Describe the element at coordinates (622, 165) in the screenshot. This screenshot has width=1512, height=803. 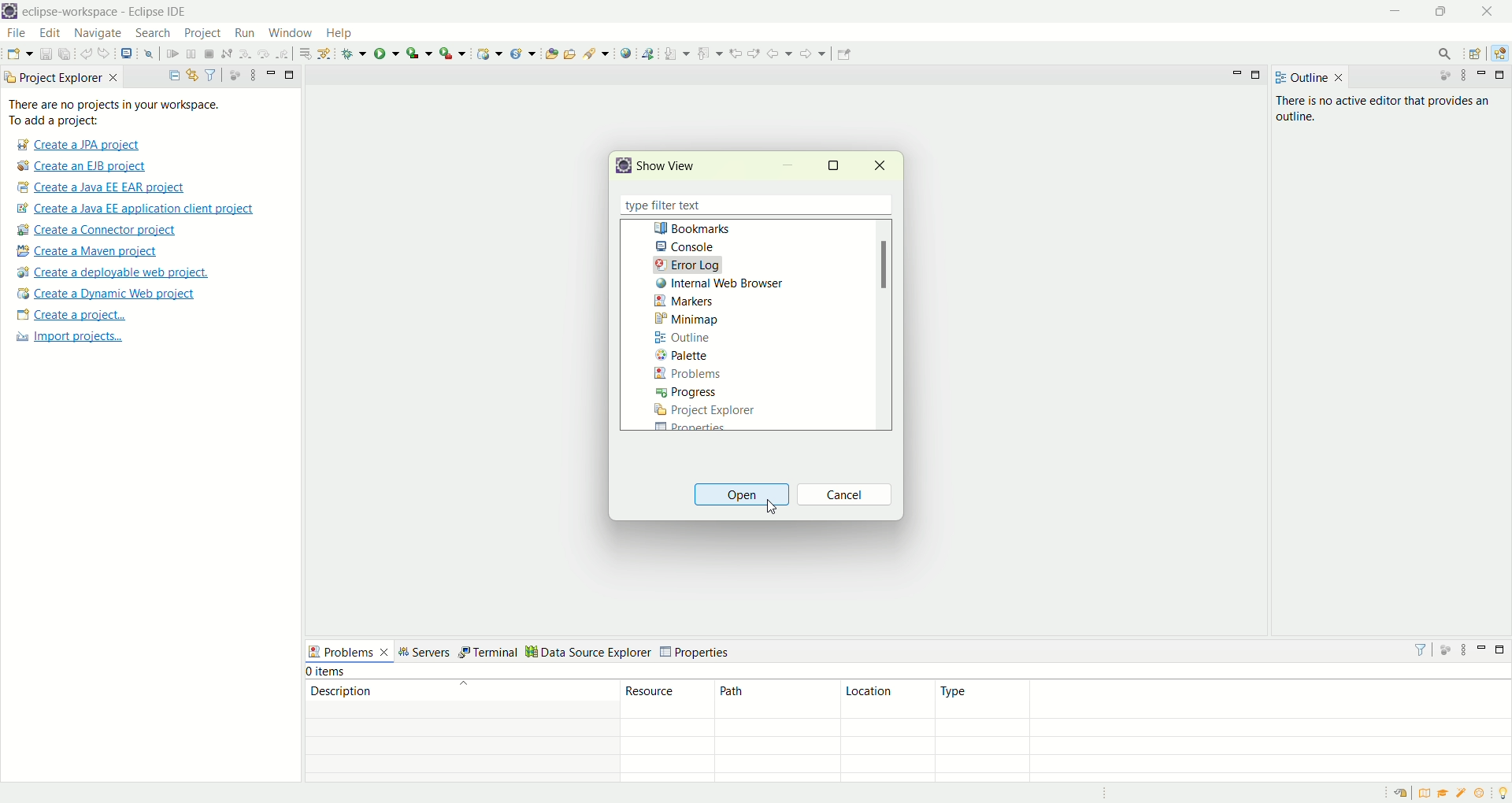
I see `logo` at that location.